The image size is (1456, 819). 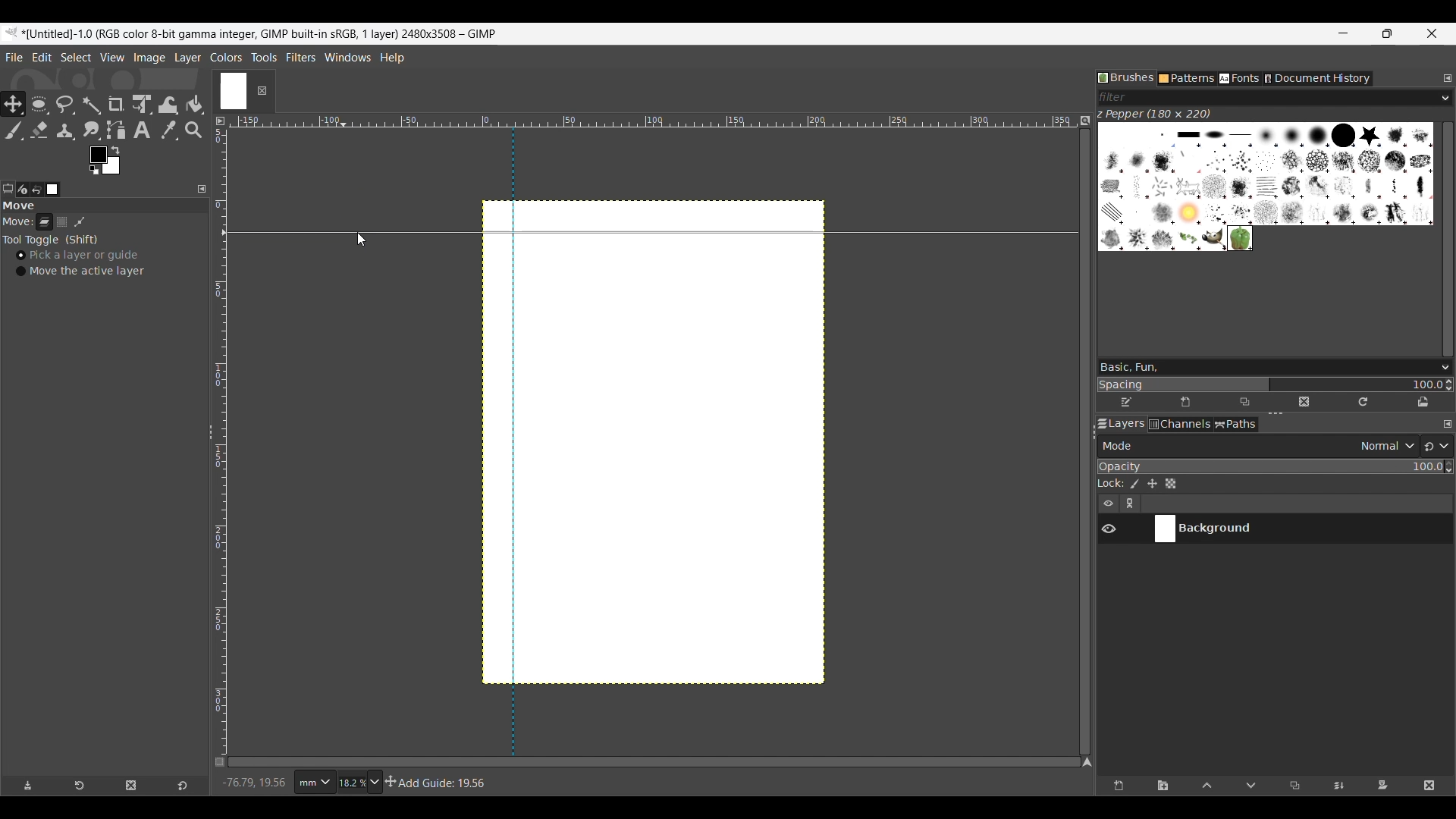 What do you see at coordinates (1269, 384) in the screenshot?
I see `Change spacing` at bounding box center [1269, 384].